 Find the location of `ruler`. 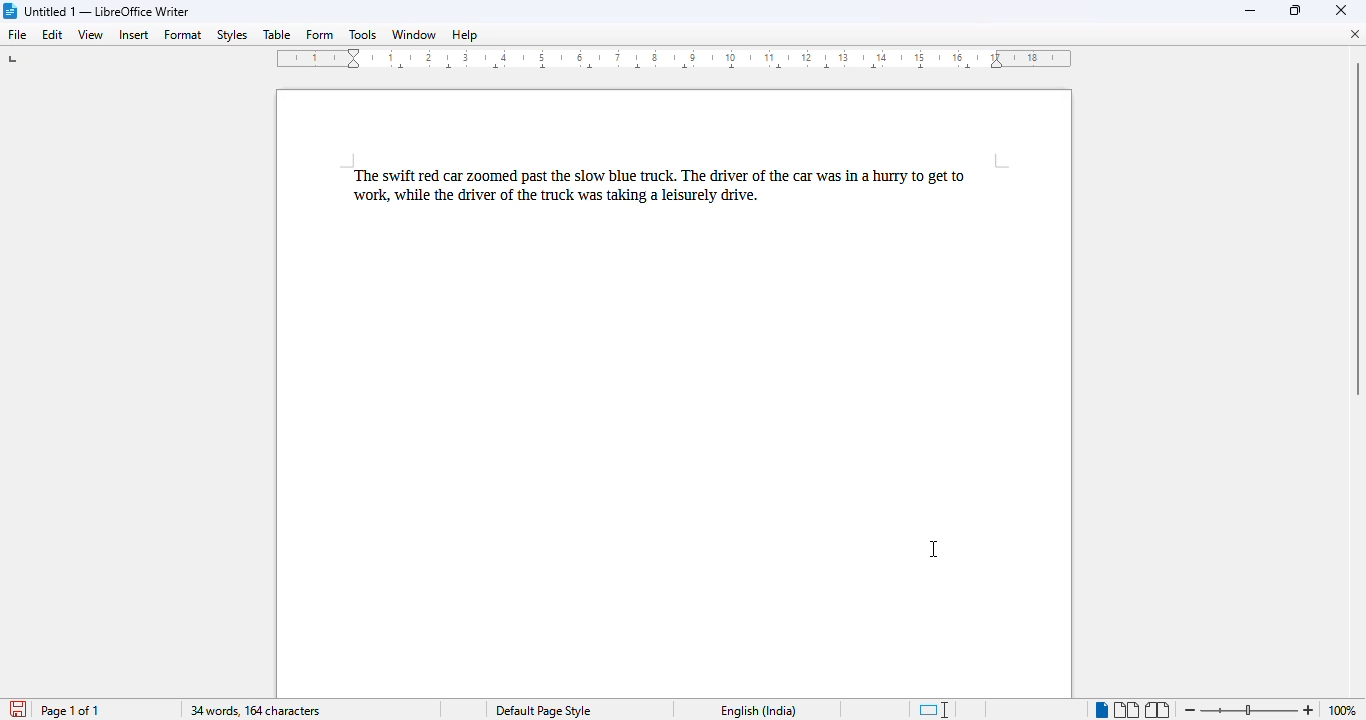

ruler is located at coordinates (675, 59).